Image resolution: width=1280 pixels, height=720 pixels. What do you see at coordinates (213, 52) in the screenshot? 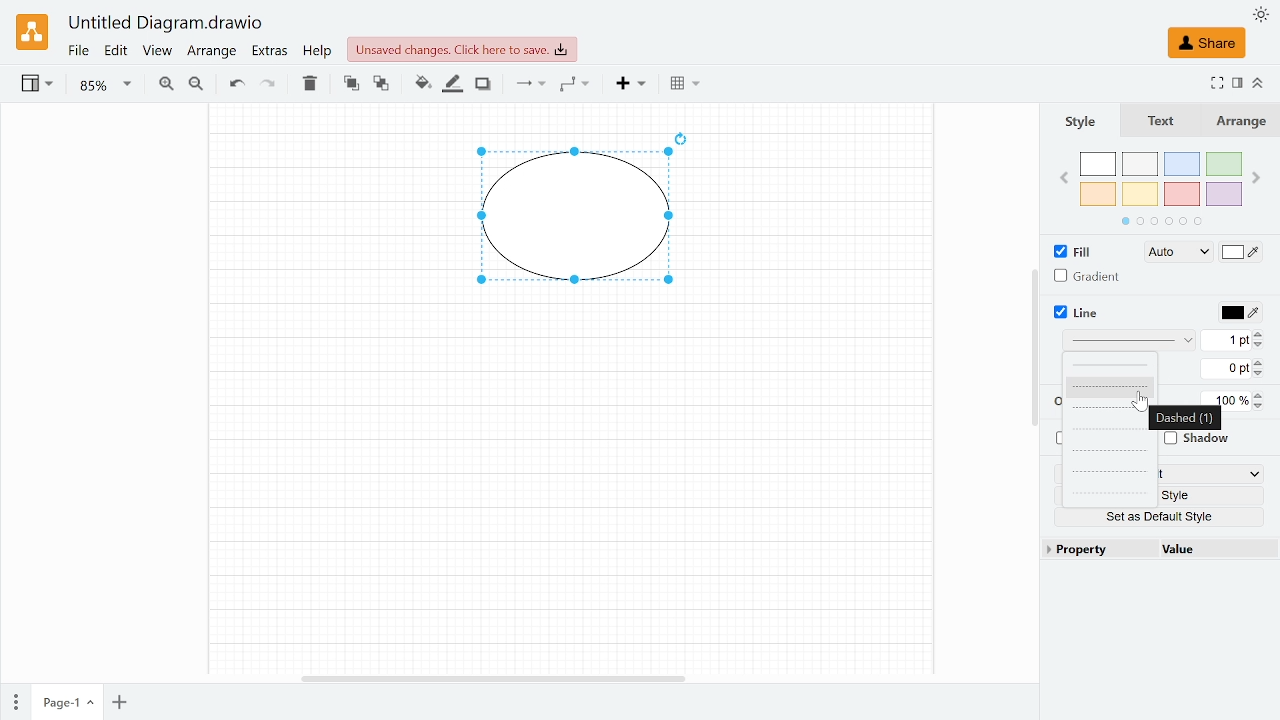
I see `Arrange` at bounding box center [213, 52].